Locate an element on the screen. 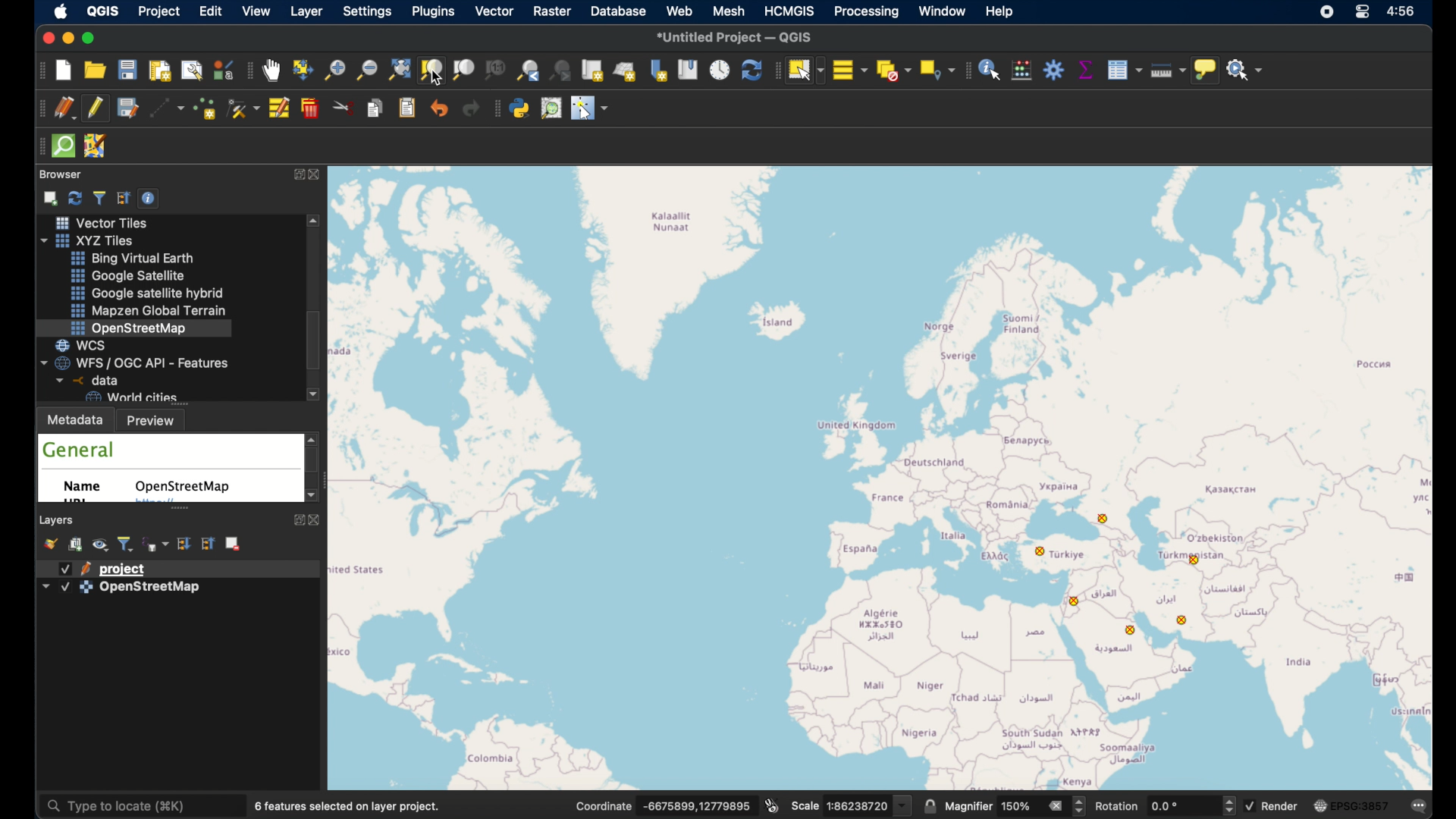 This screenshot has width=1456, height=819. new map view is located at coordinates (593, 71).